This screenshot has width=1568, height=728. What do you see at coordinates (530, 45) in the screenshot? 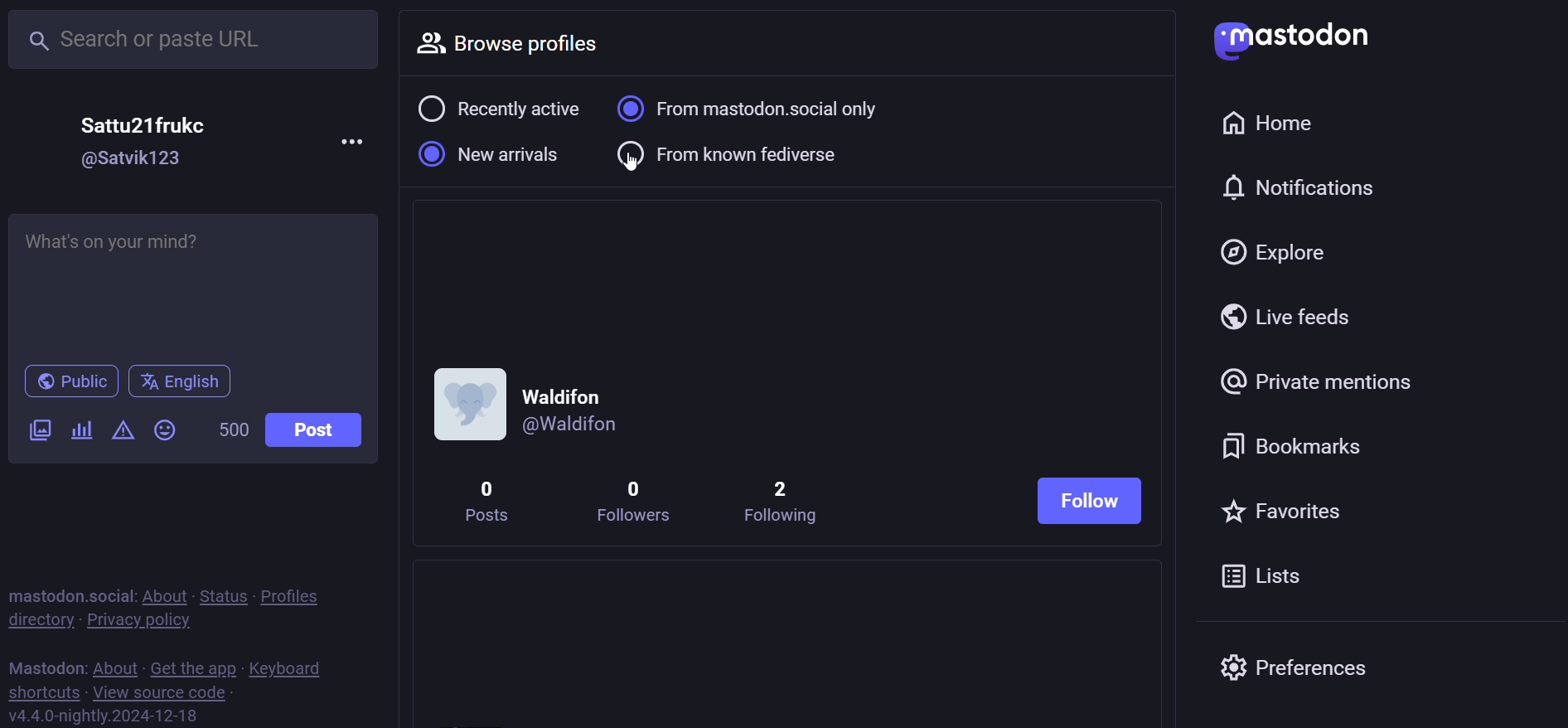
I see `browse profiles` at bounding box center [530, 45].